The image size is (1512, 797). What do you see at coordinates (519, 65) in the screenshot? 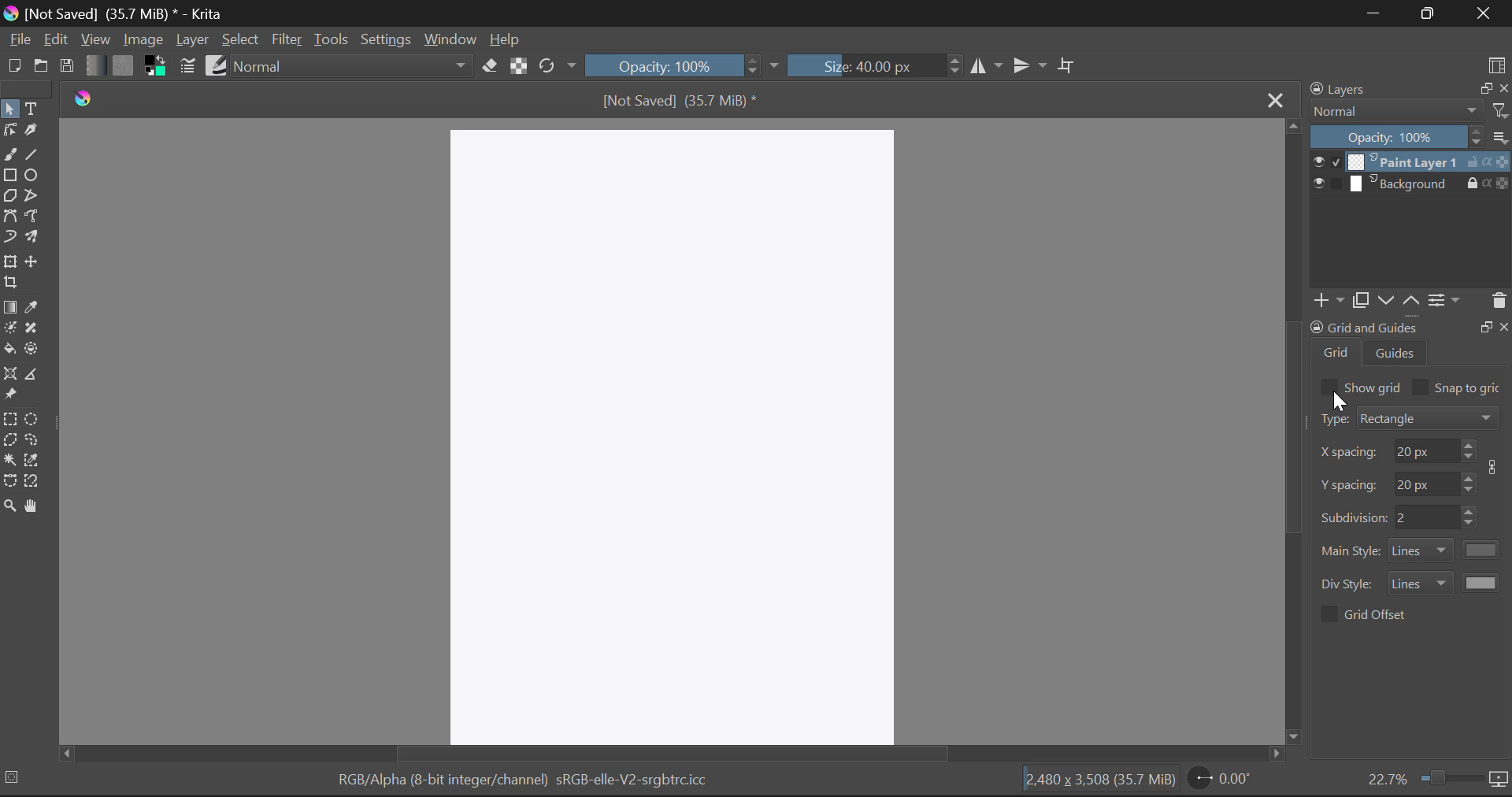
I see `Lock Alpha` at bounding box center [519, 65].